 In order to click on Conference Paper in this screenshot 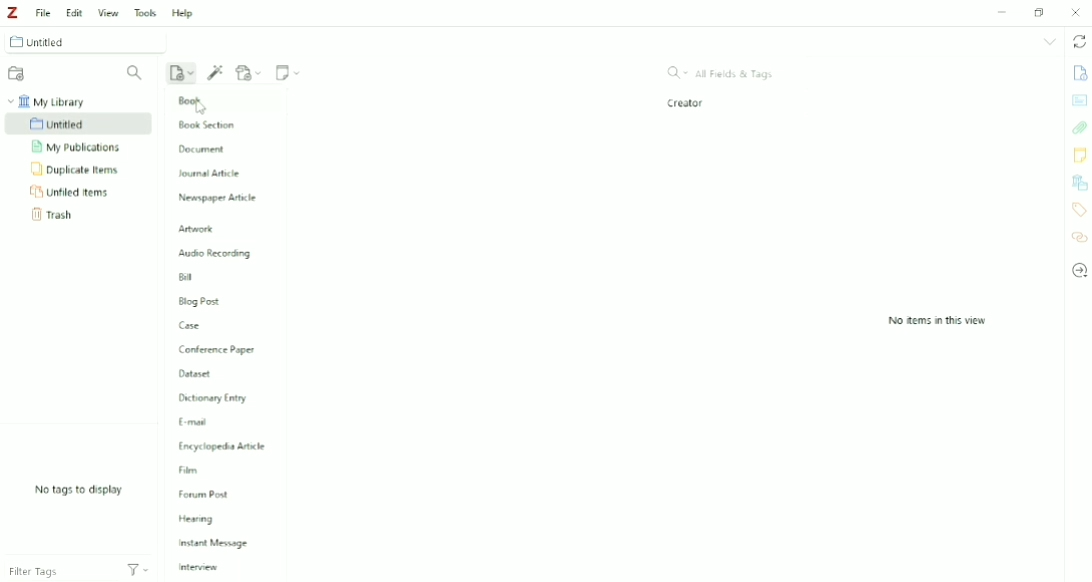, I will do `click(220, 349)`.